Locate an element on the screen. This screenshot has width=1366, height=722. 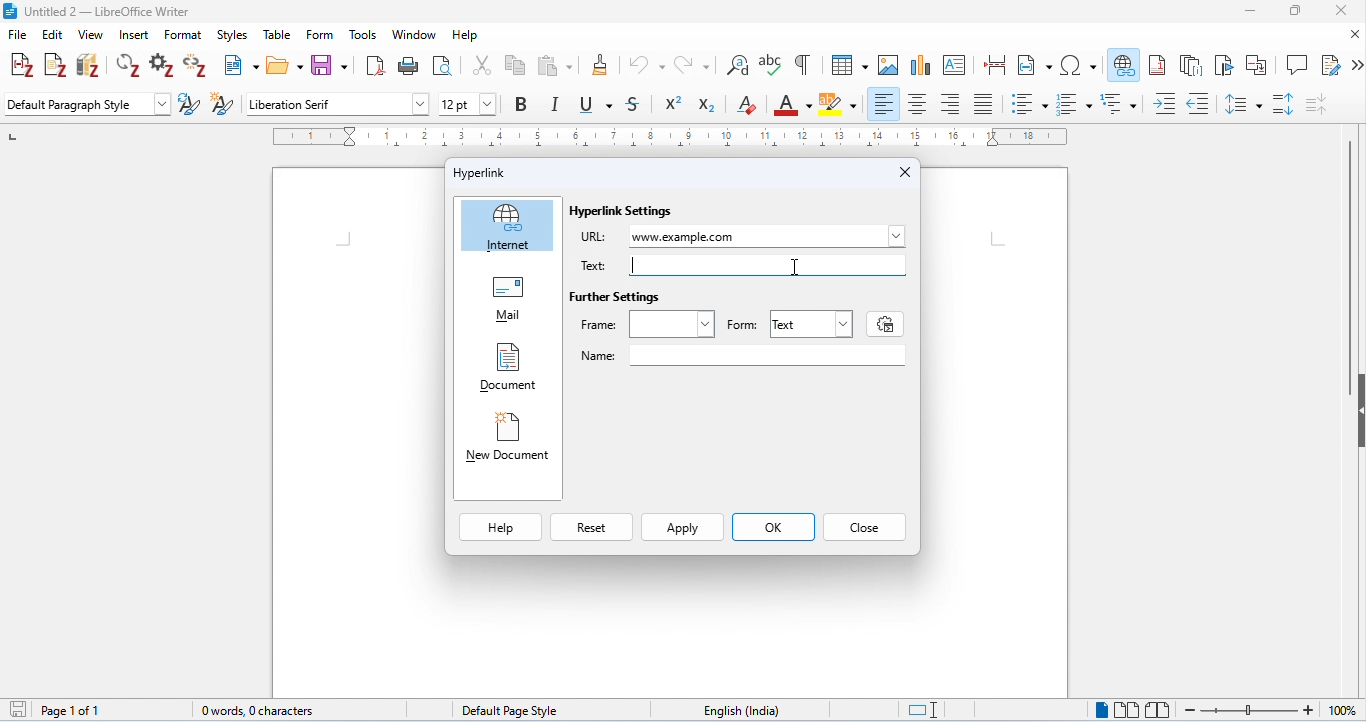
Hyperlink is located at coordinates (483, 171).